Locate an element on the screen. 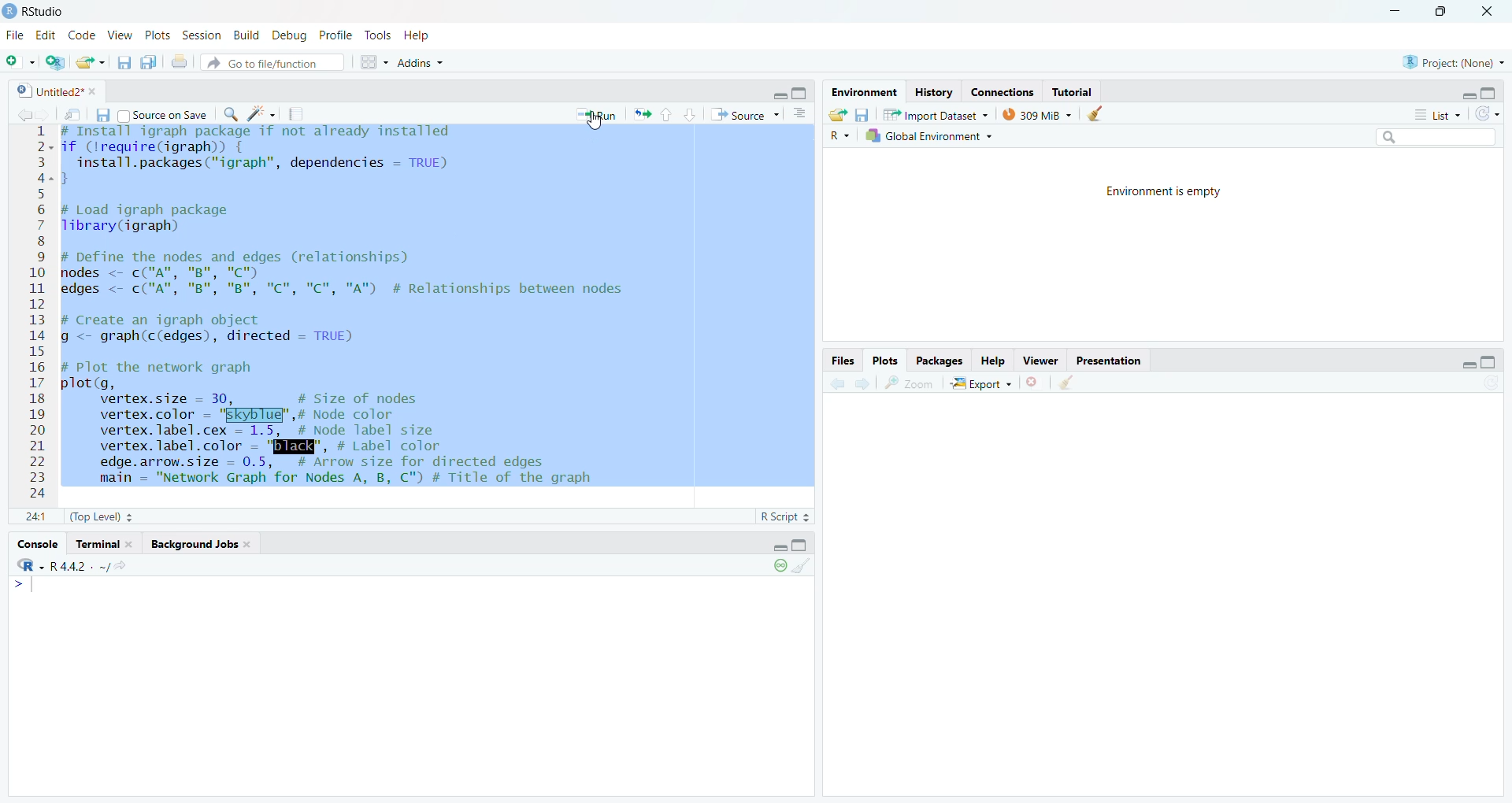  back is located at coordinates (26, 114).